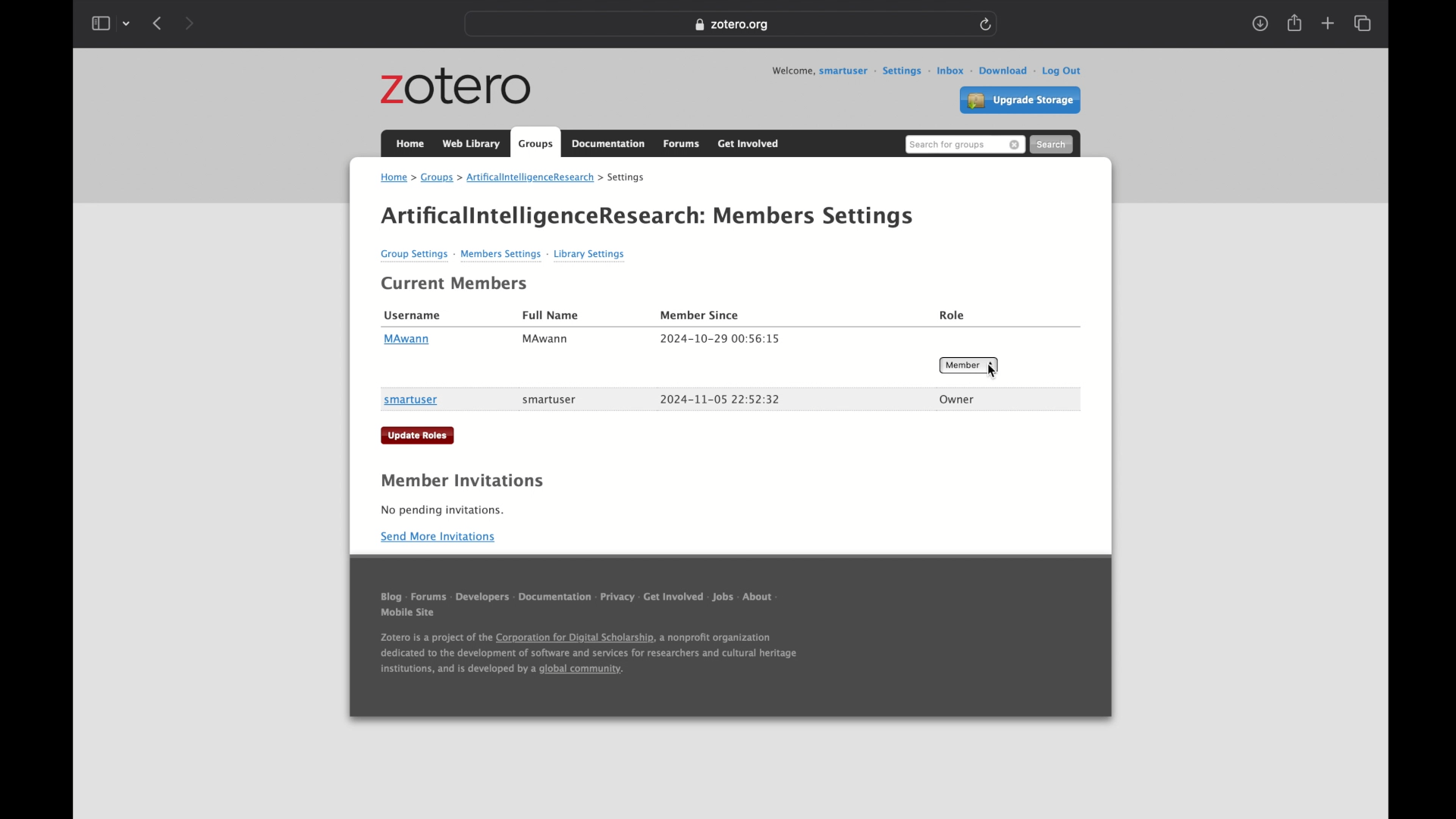 The height and width of the screenshot is (819, 1456). What do you see at coordinates (457, 87) in the screenshot?
I see `zotero` at bounding box center [457, 87].